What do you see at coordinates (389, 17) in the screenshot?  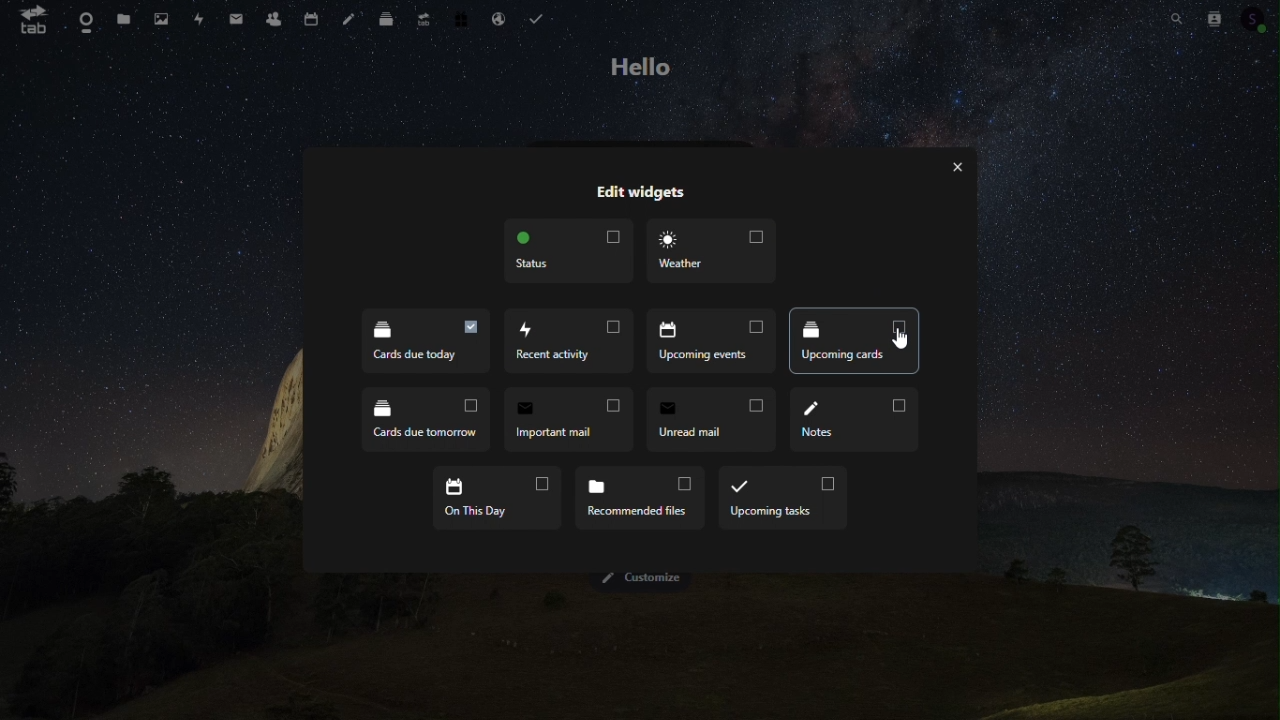 I see `Deck` at bounding box center [389, 17].